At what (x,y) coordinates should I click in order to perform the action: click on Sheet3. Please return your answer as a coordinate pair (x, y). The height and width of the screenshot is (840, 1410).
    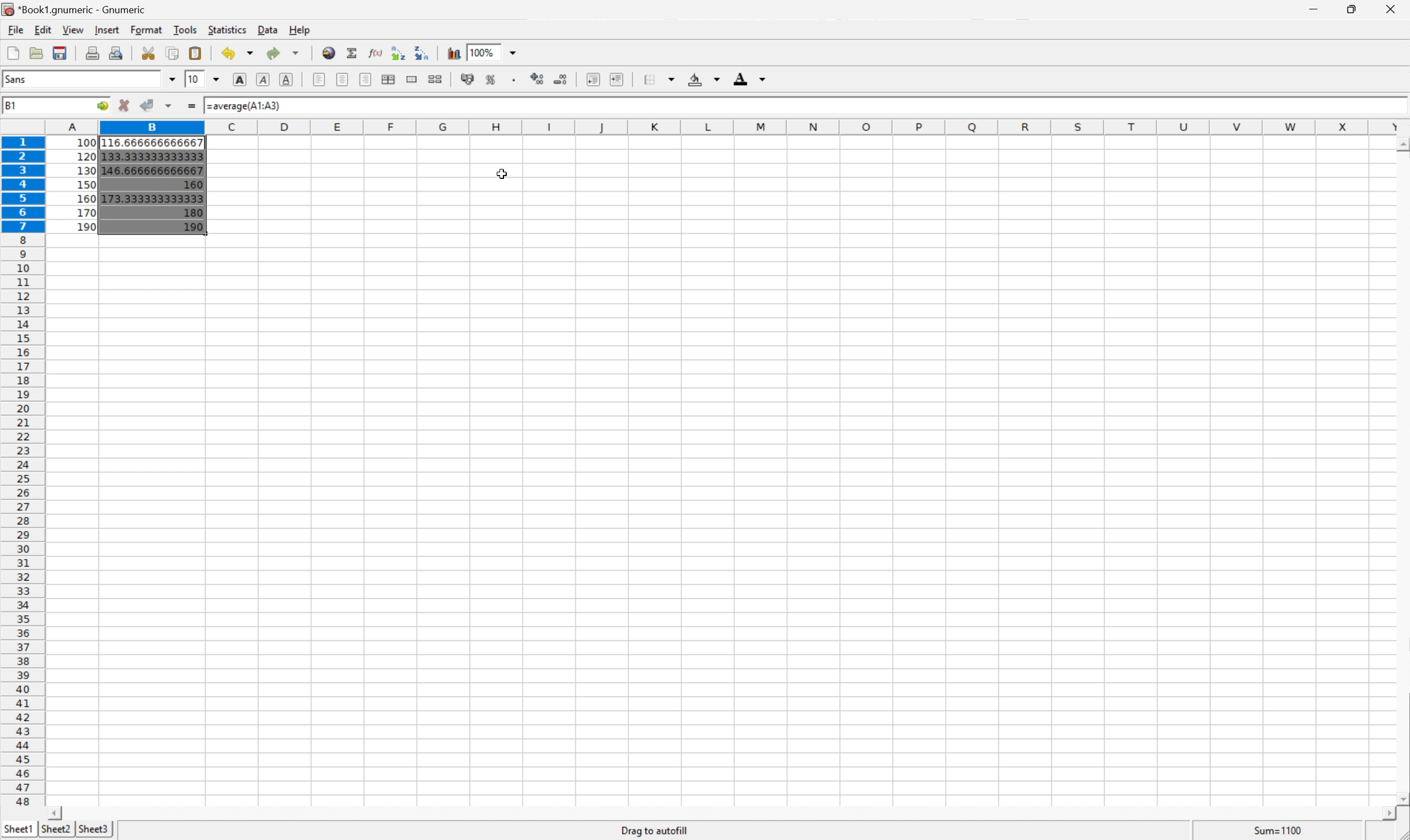
    Looking at the image, I should click on (96, 830).